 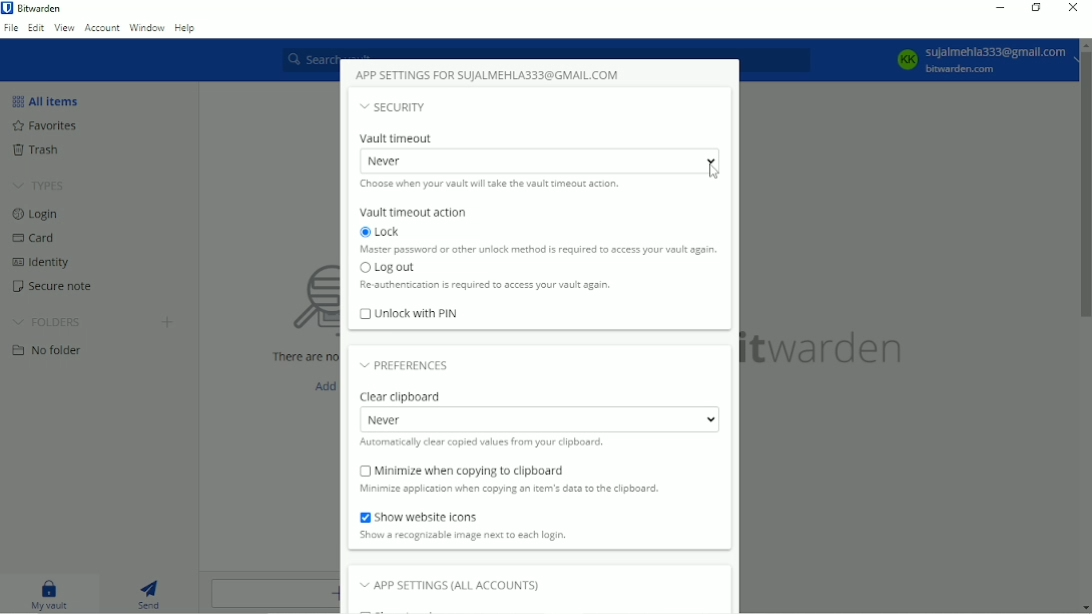 What do you see at coordinates (459, 585) in the screenshot?
I see `App settings (ALL ACCOUNTS)` at bounding box center [459, 585].